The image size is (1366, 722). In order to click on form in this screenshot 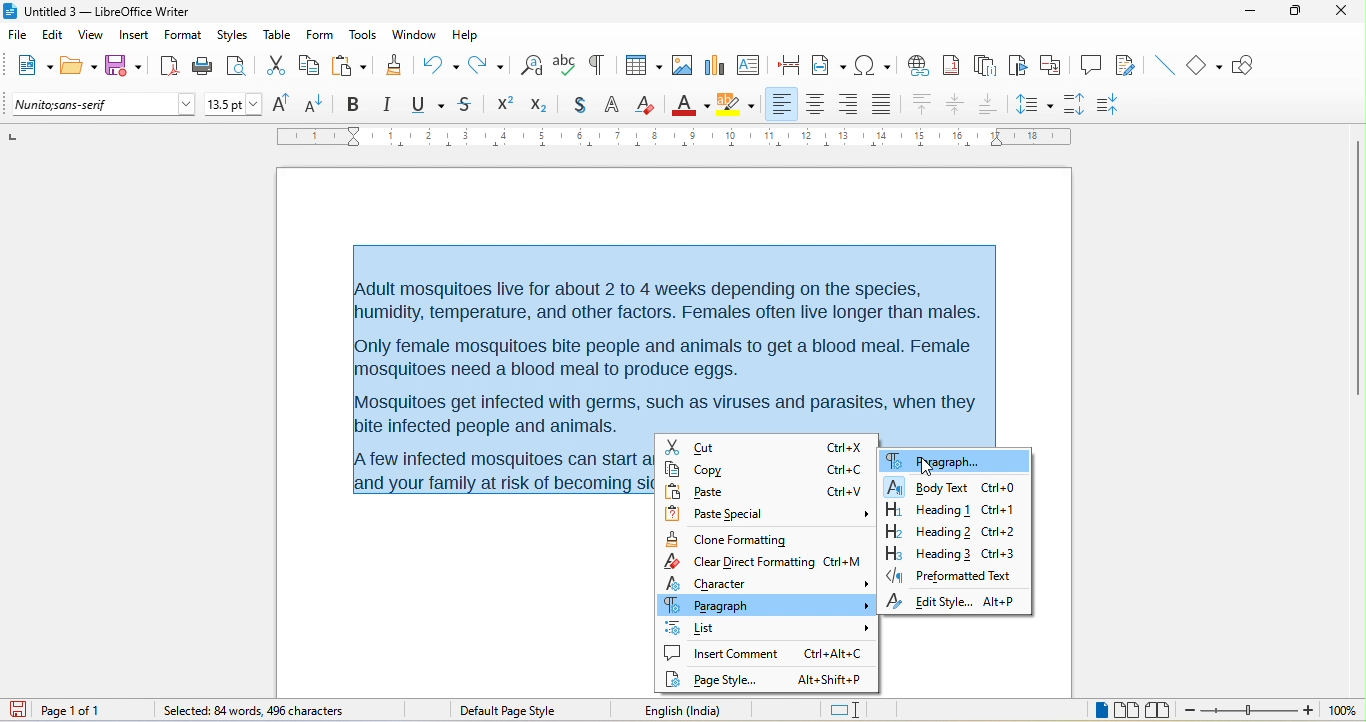, I will do `click(319, 34)`.